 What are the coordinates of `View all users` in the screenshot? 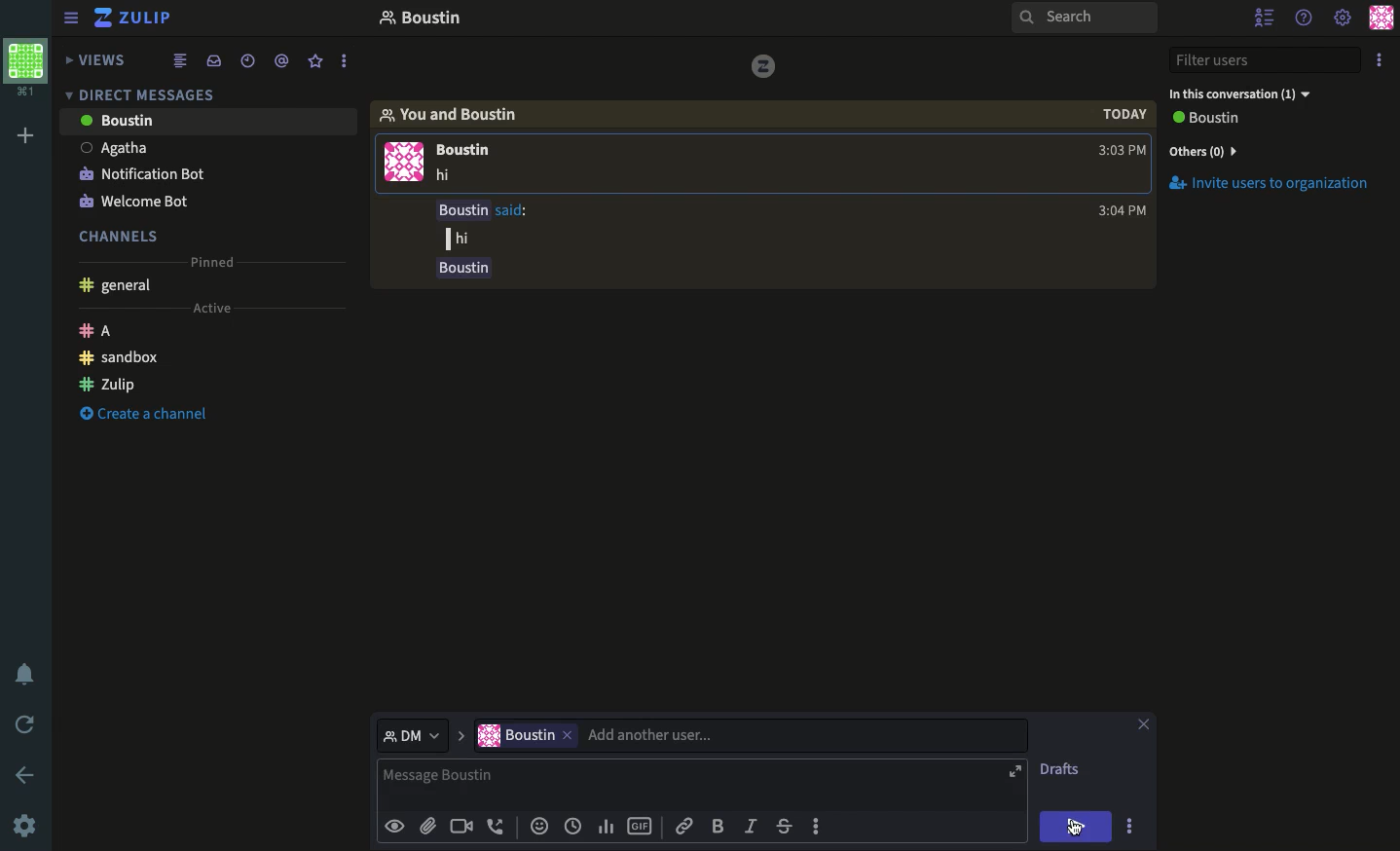 It's located at (1217, 120).